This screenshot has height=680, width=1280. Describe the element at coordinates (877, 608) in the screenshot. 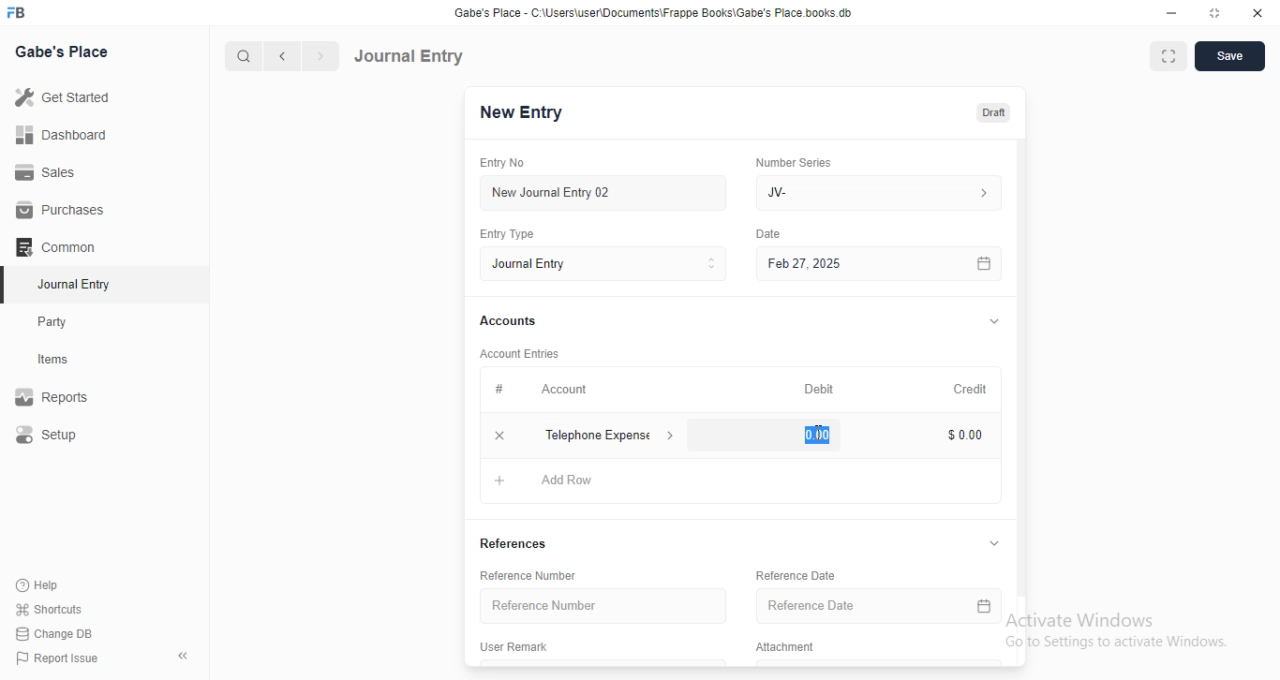

I see `Reference Date.` at that location.